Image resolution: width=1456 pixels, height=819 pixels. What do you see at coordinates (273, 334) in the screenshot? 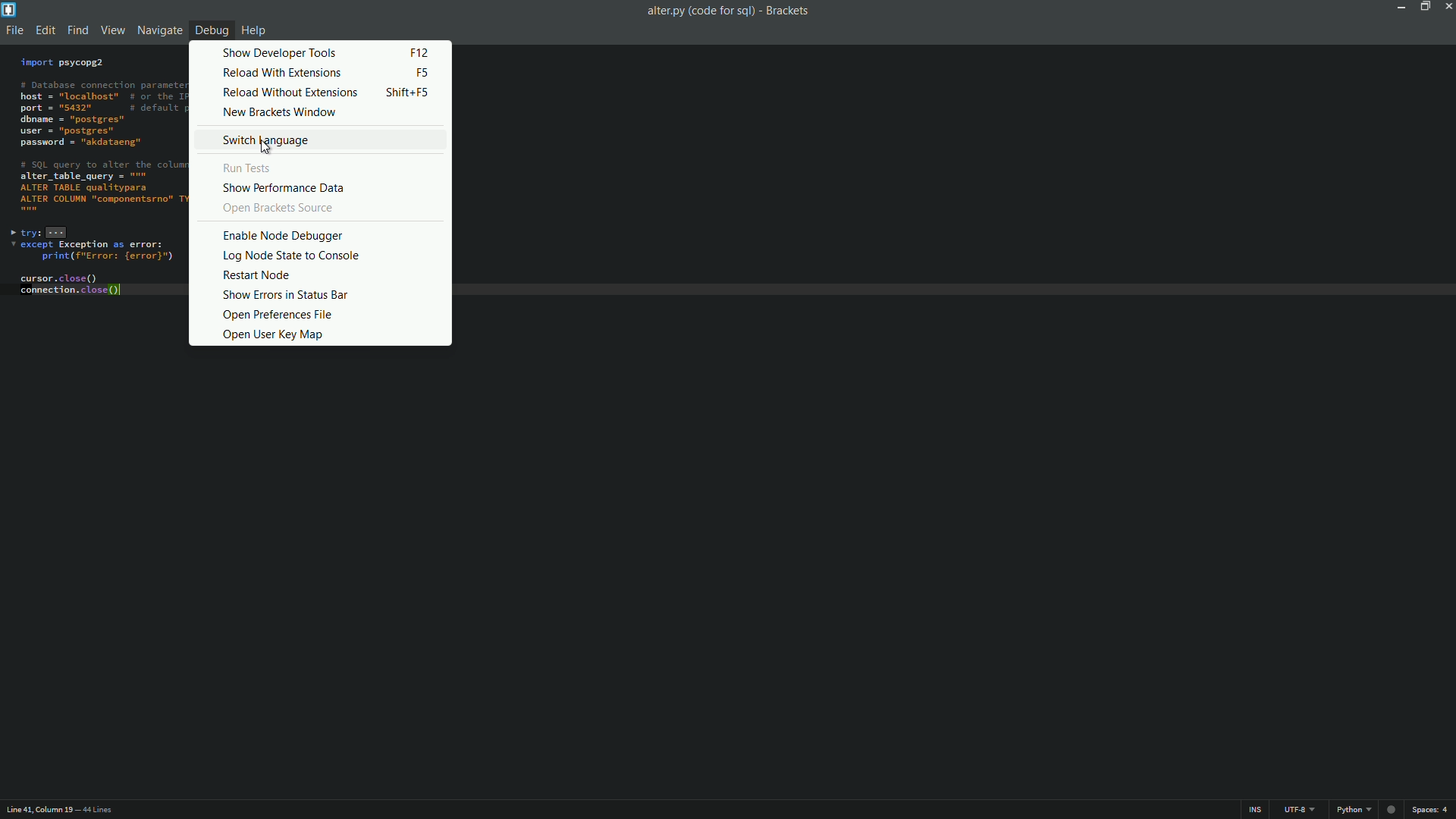
I see `open user key map` at bounding box center [273, 334].